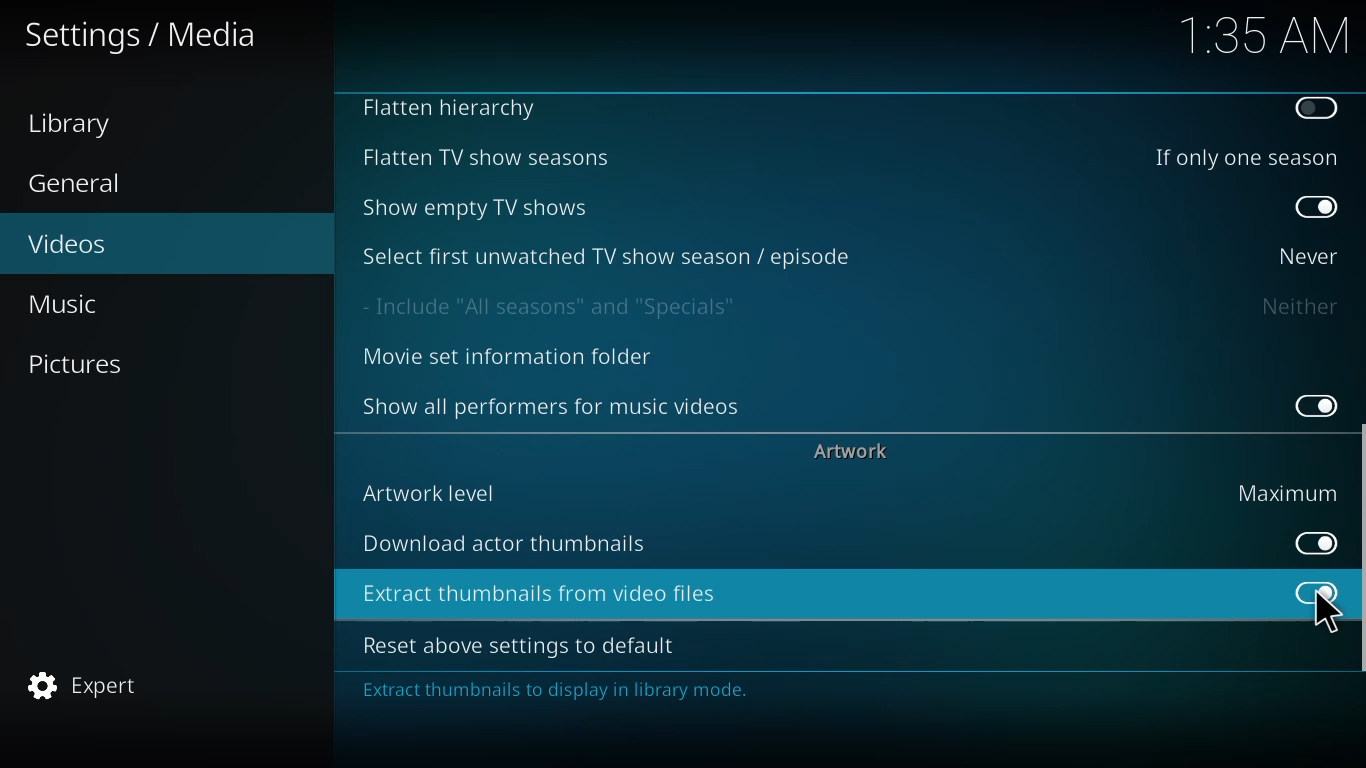 The image size is (1366, 768). Describe the element at coordinates (79, 184) in the screenshot. I see `general` at that location.